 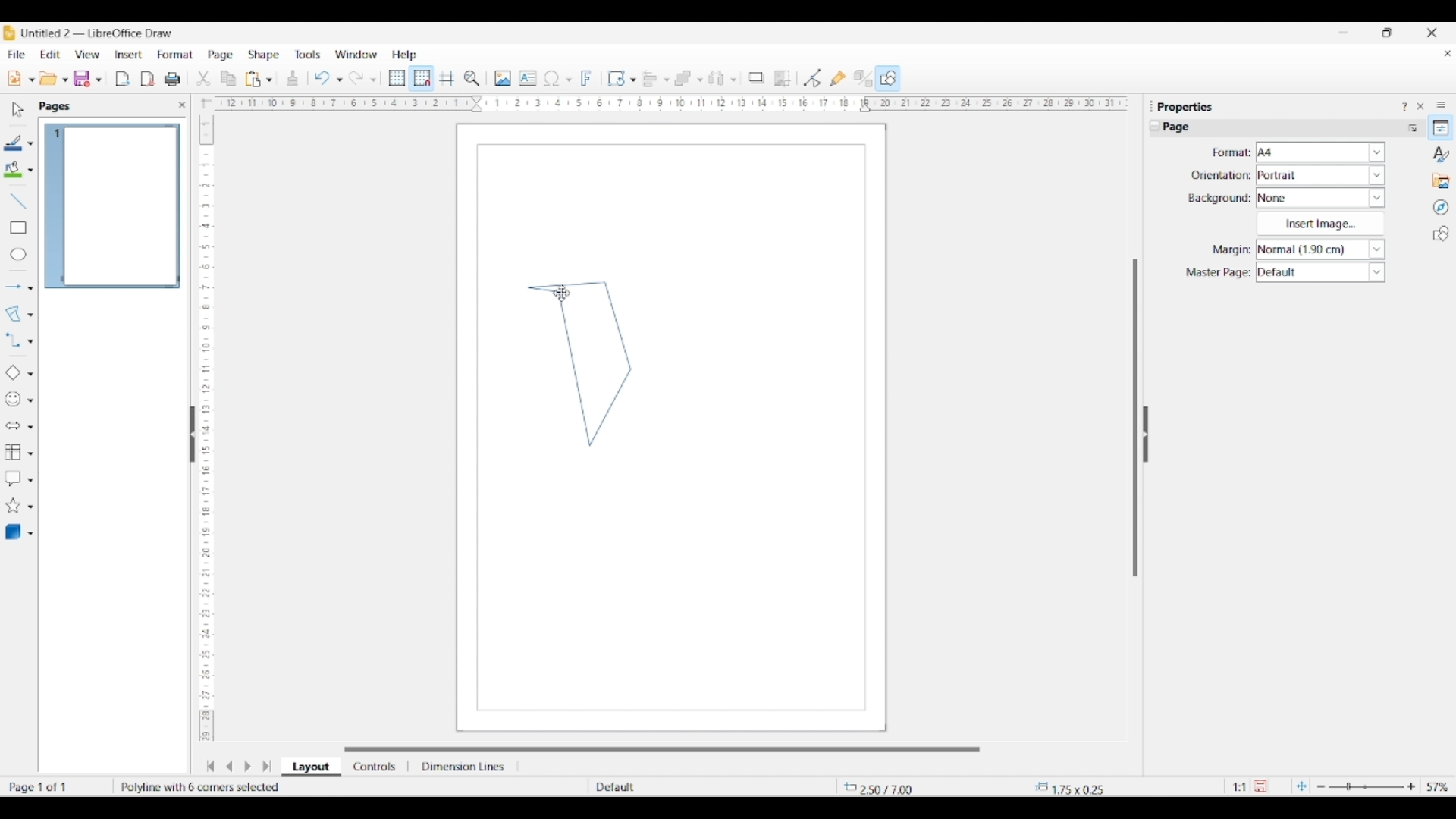 I want to click on Export, so click(x=123, y=79).